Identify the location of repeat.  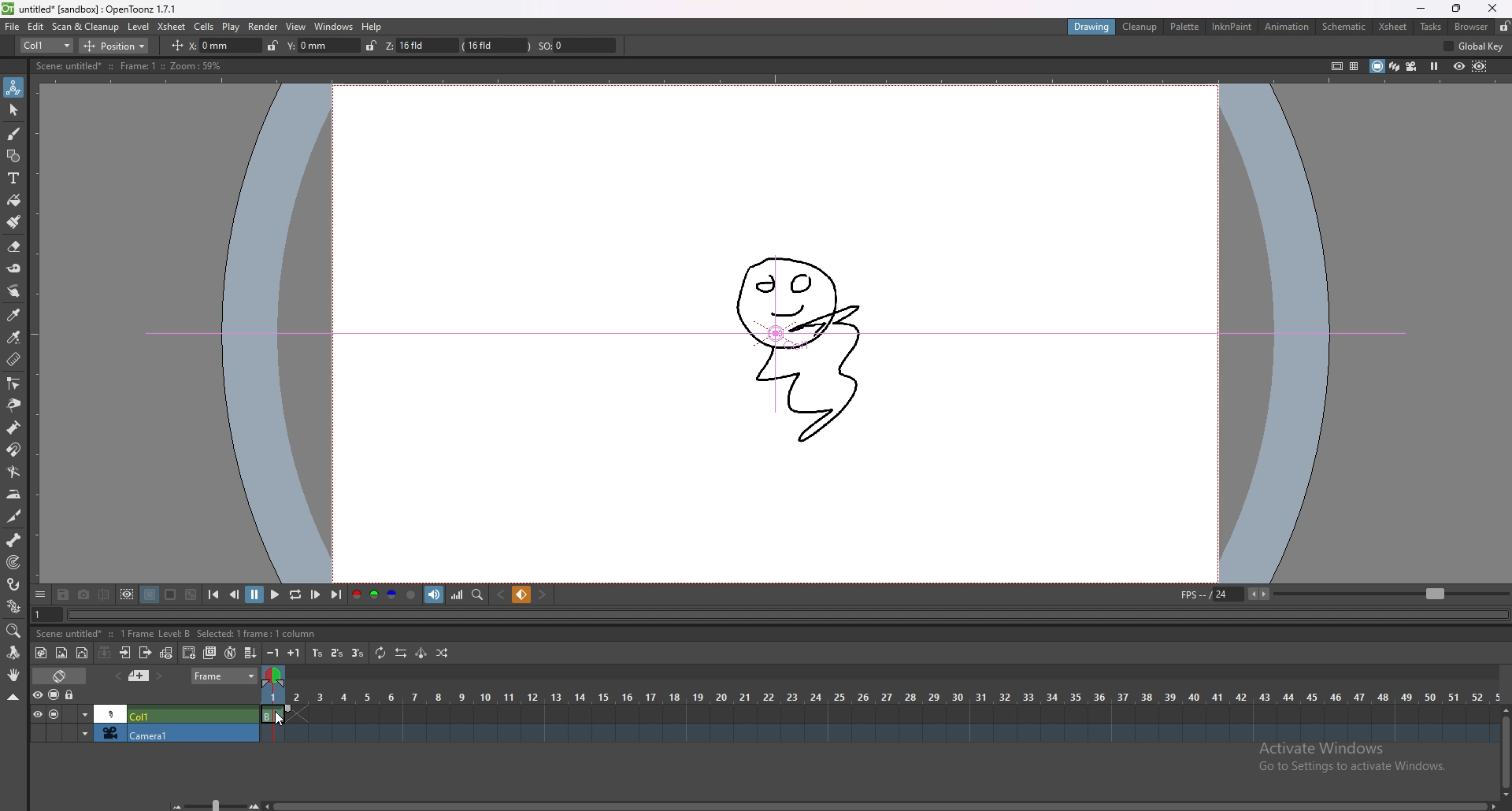
(379, 654).